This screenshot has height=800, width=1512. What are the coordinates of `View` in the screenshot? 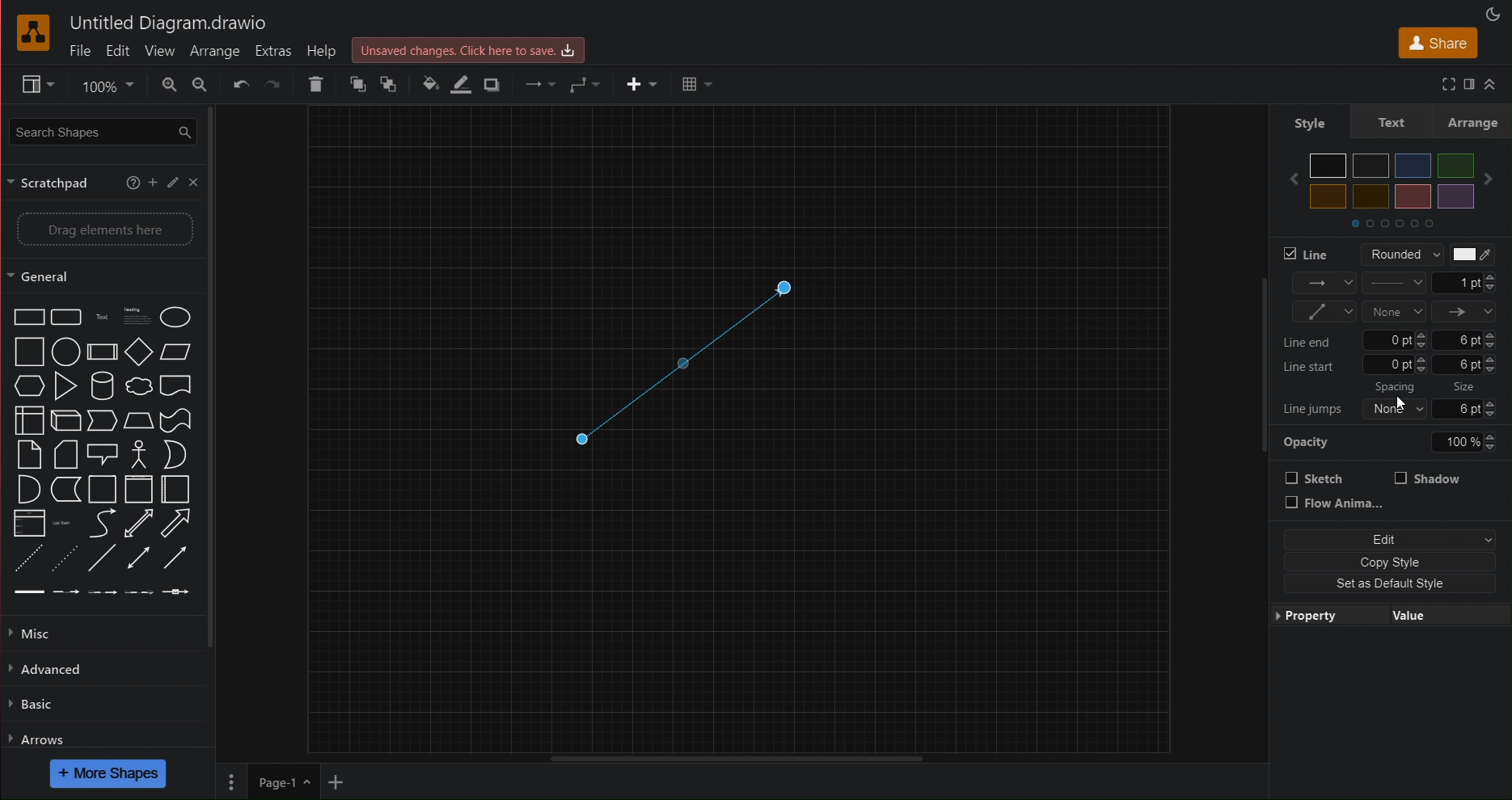 It's located at (29, 85).